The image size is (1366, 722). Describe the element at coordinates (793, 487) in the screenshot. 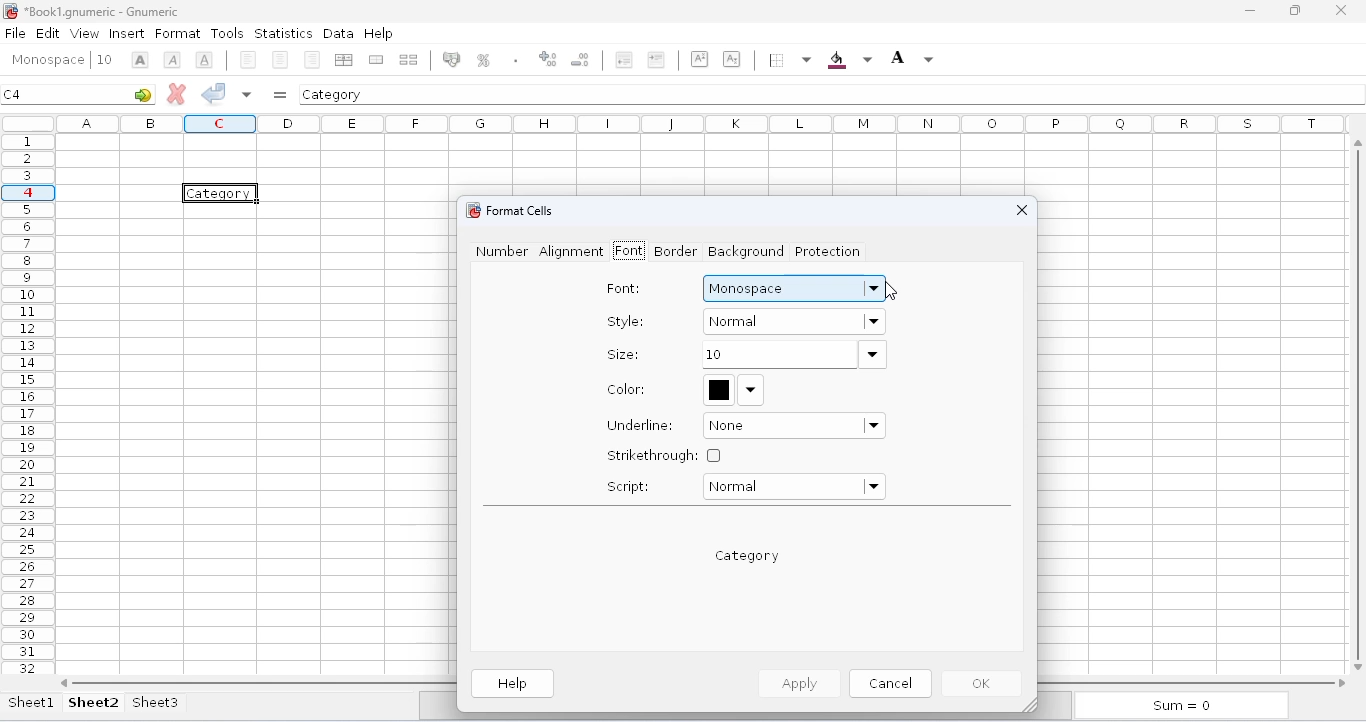

I see `normal` at that location.